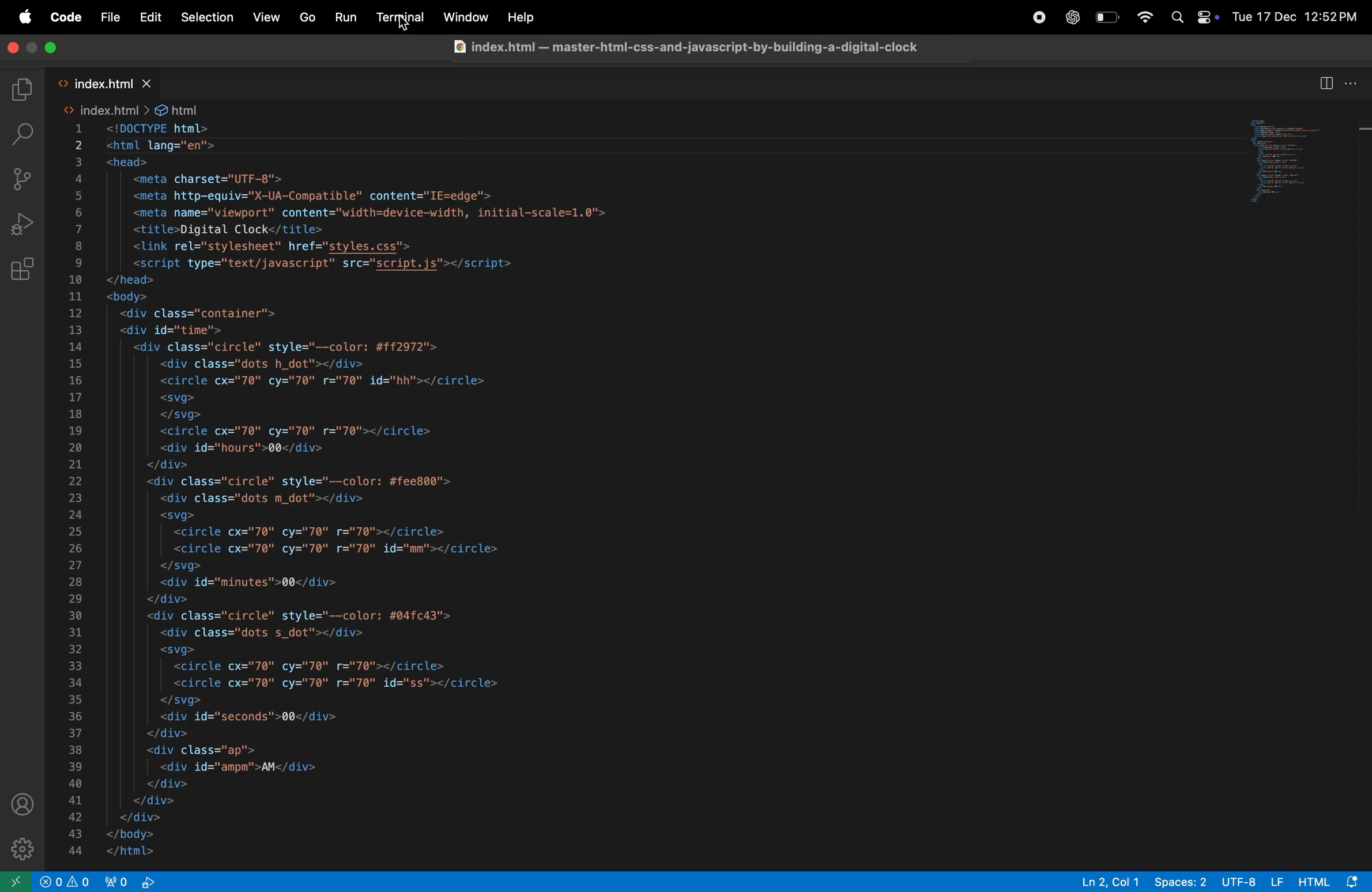 The image size is (1372, 892). Describe the element at coordinates (47, 49) in the screenshot. I see `close` at that location.